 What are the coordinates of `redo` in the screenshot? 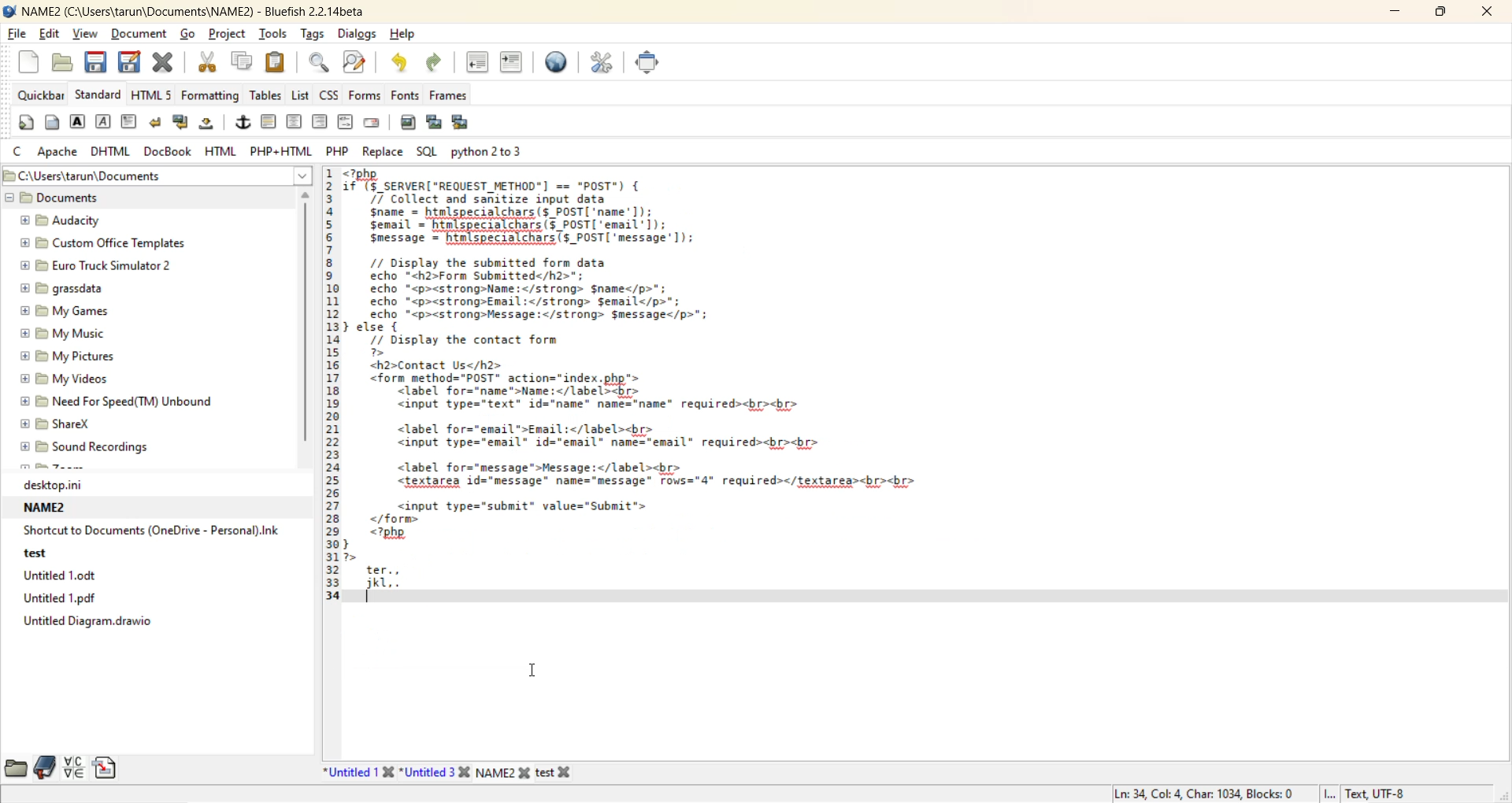 It's located at (435, 65).